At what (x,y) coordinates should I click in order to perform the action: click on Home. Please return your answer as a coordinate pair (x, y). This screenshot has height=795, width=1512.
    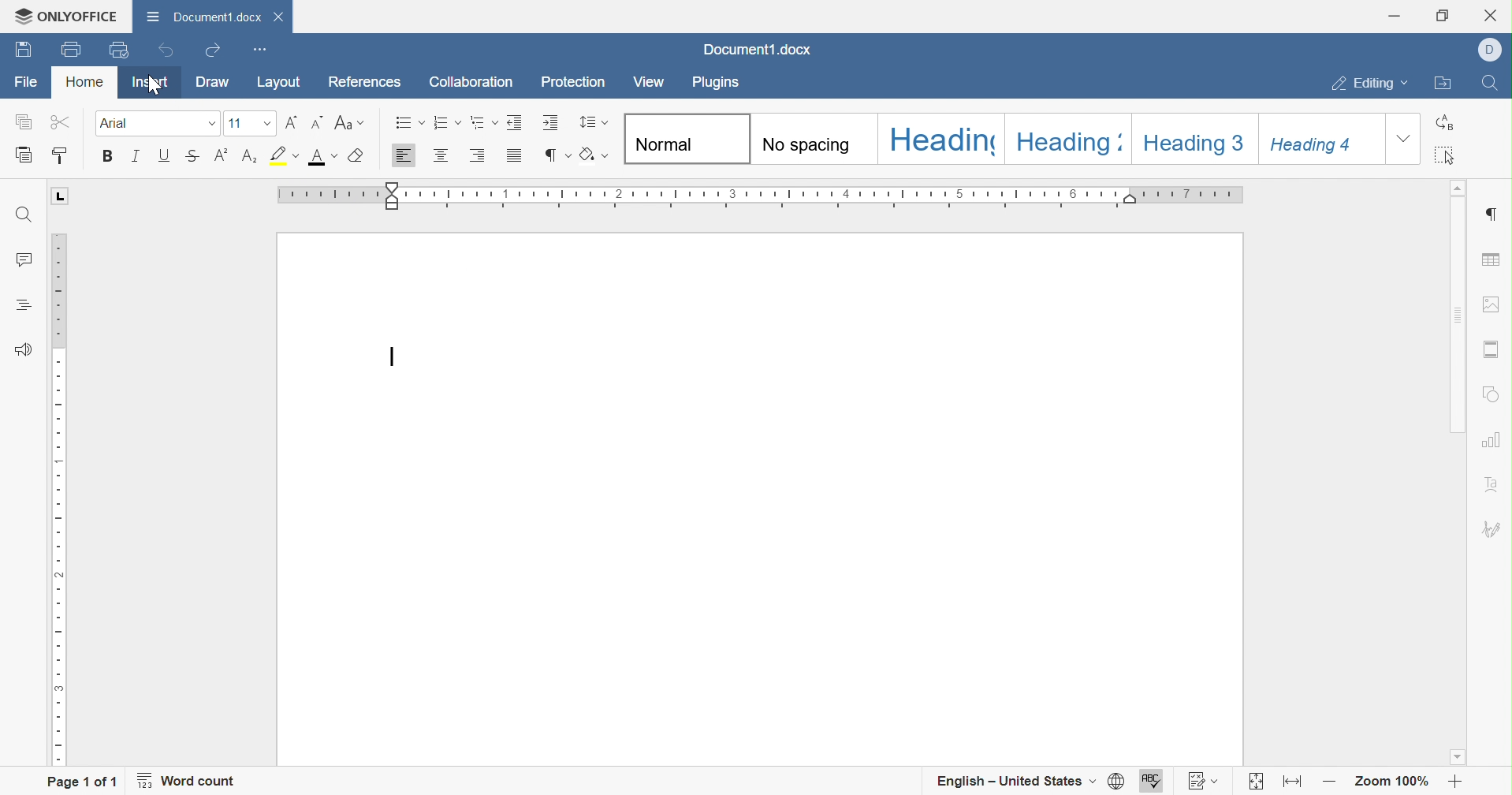
    Looking at the image, I should click on (84, 80).